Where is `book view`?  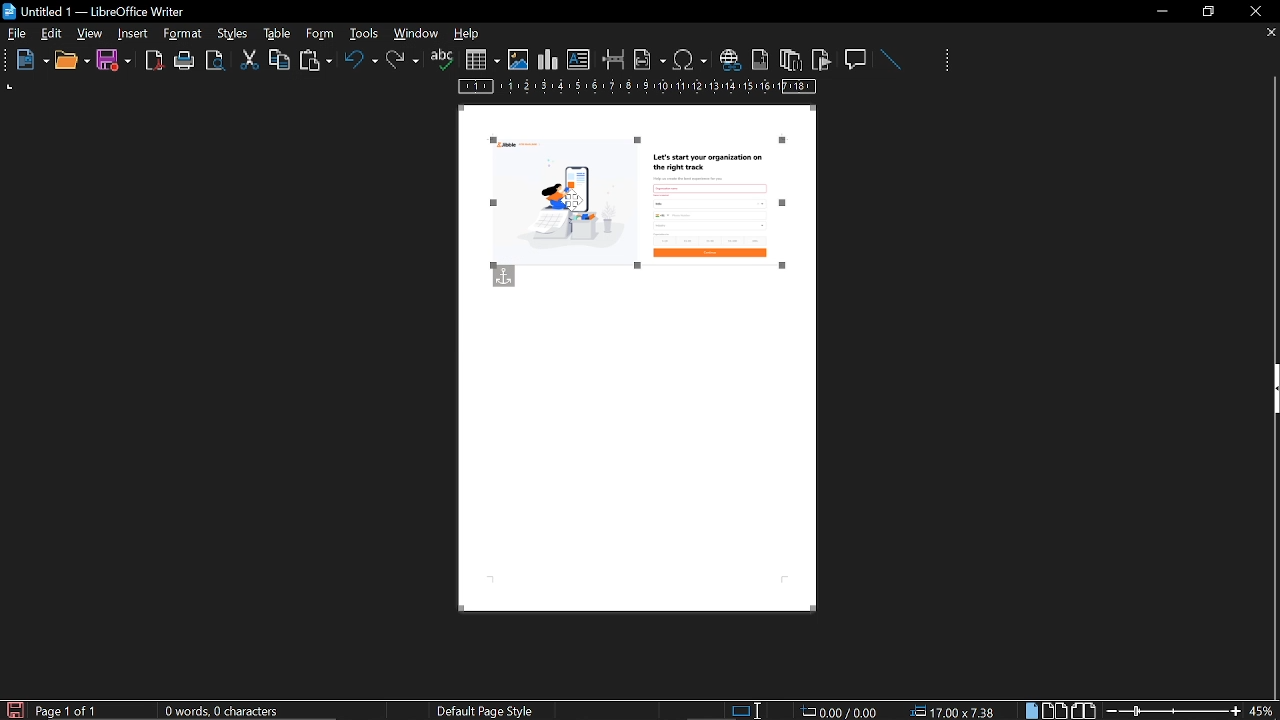 book view is located at coordinates (1082, 709).